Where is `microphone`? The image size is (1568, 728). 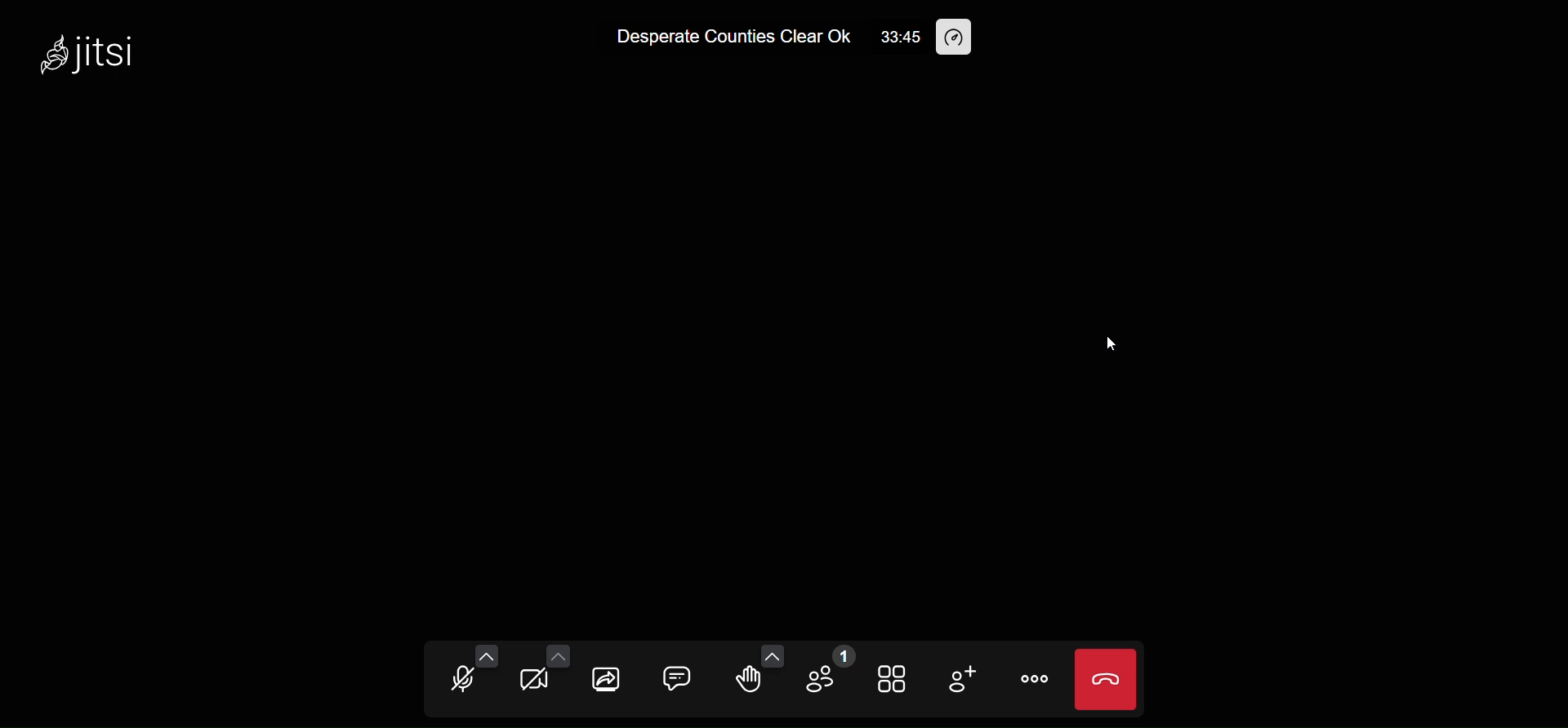
microphone is located at coordinates (460, 680).